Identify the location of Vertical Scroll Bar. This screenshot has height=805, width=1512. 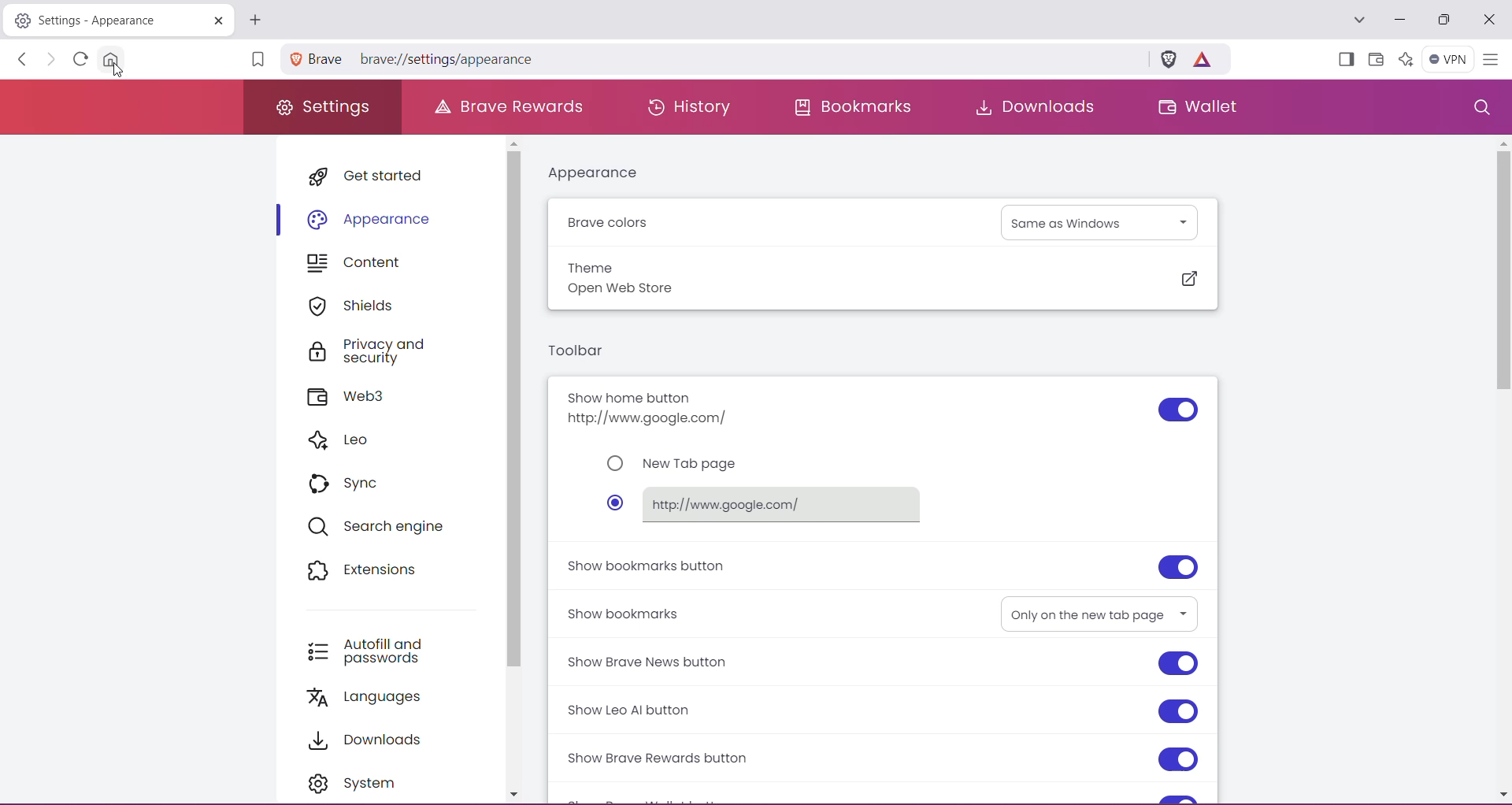
(1499, 469).